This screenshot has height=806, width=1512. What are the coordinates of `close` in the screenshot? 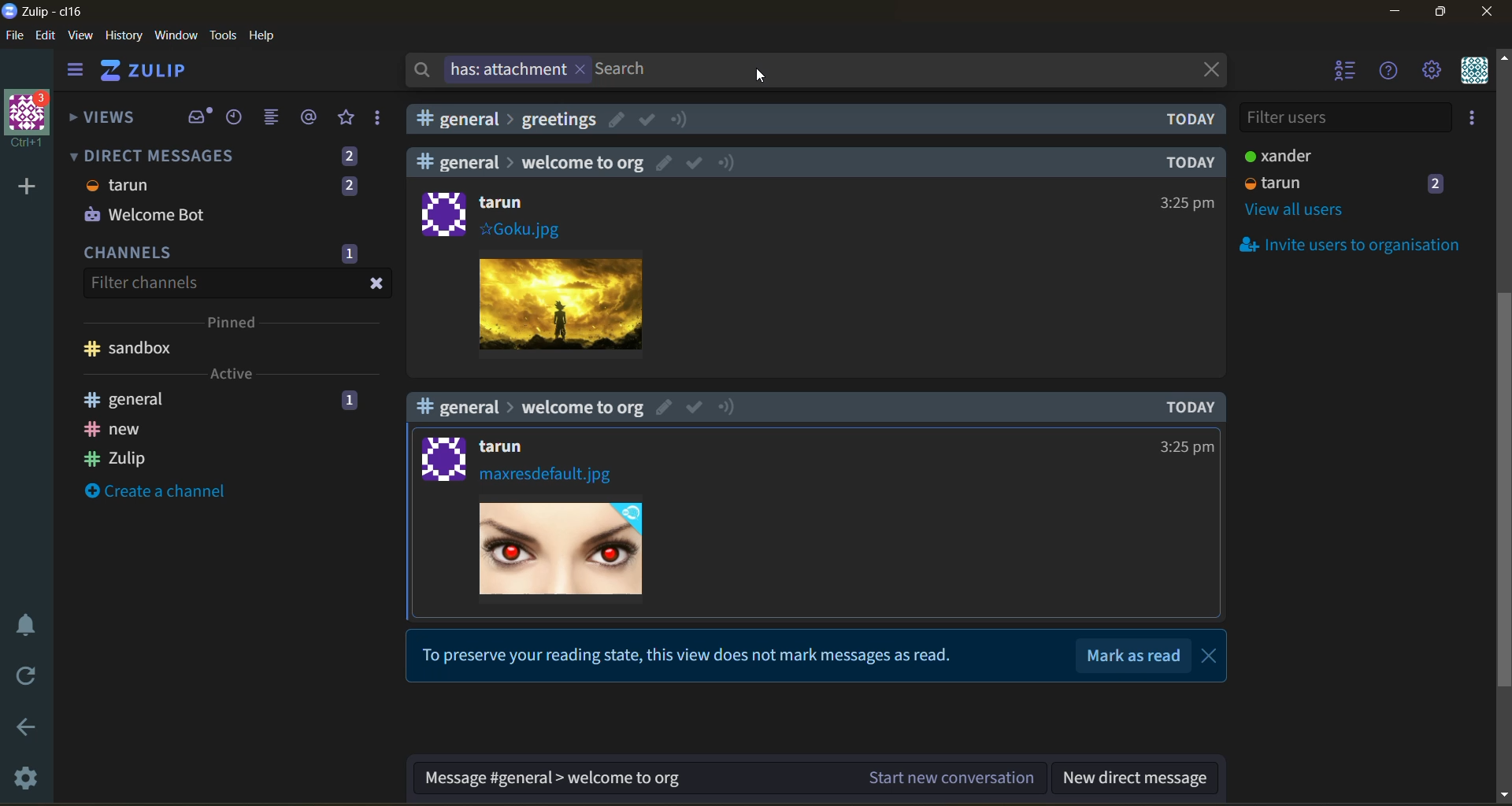 It's located at (1209, 68).